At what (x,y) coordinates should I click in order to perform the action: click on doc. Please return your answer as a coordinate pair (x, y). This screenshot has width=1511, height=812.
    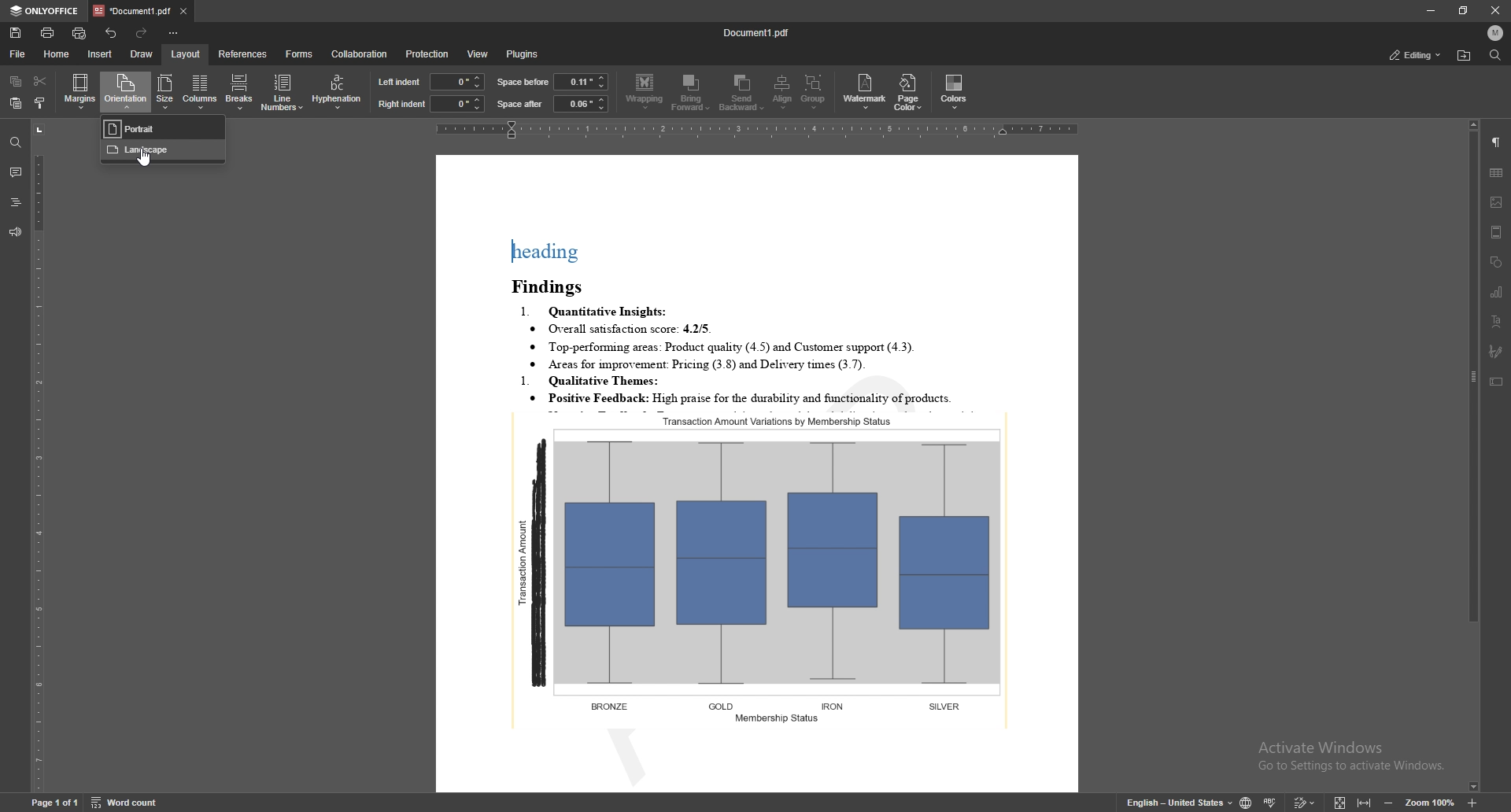
    Looking at the image, I should click on (758, 474).